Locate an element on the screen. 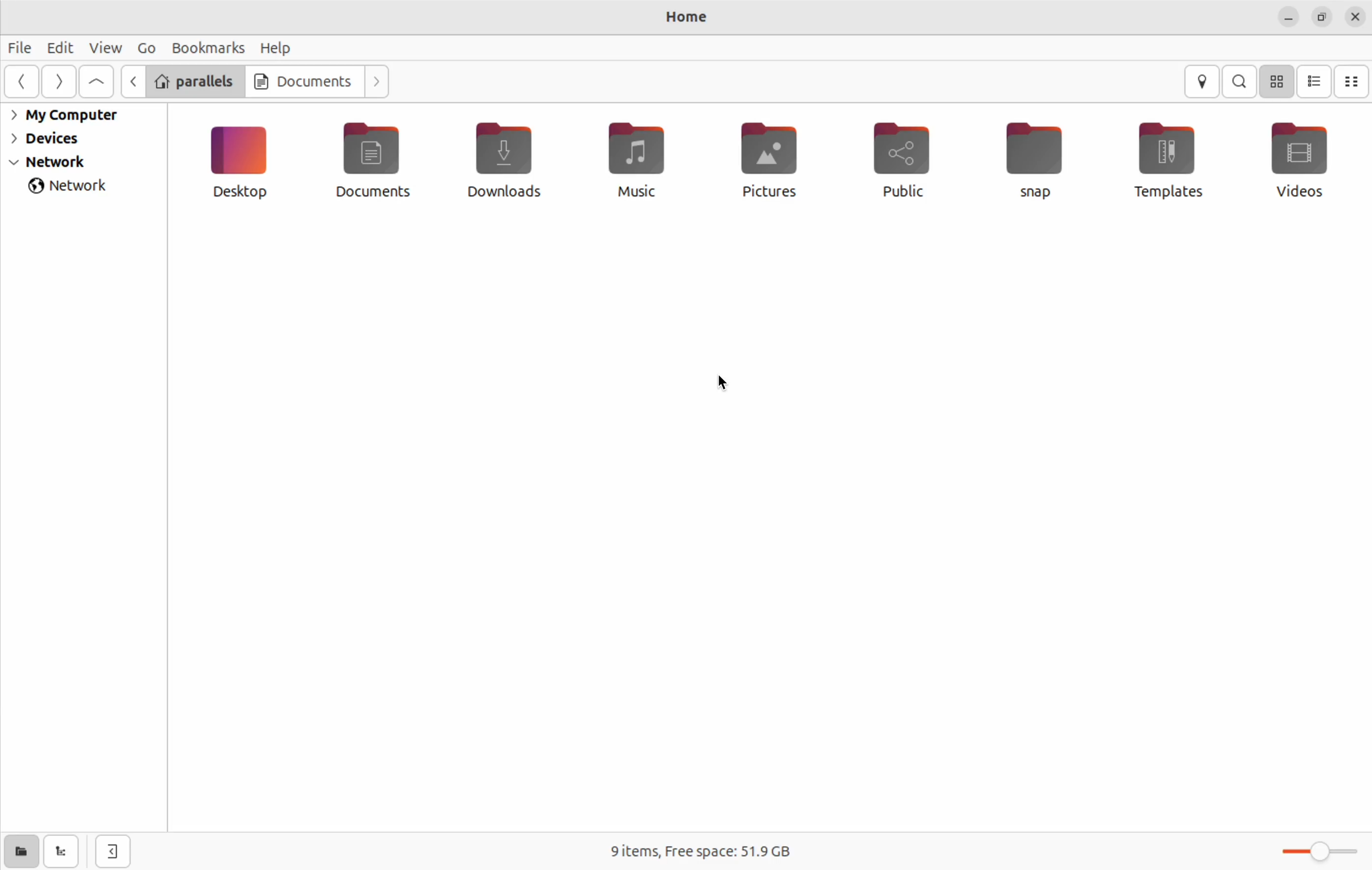 This screenshot has width=1372, height=870. close is located at coordinates (1355, 16).